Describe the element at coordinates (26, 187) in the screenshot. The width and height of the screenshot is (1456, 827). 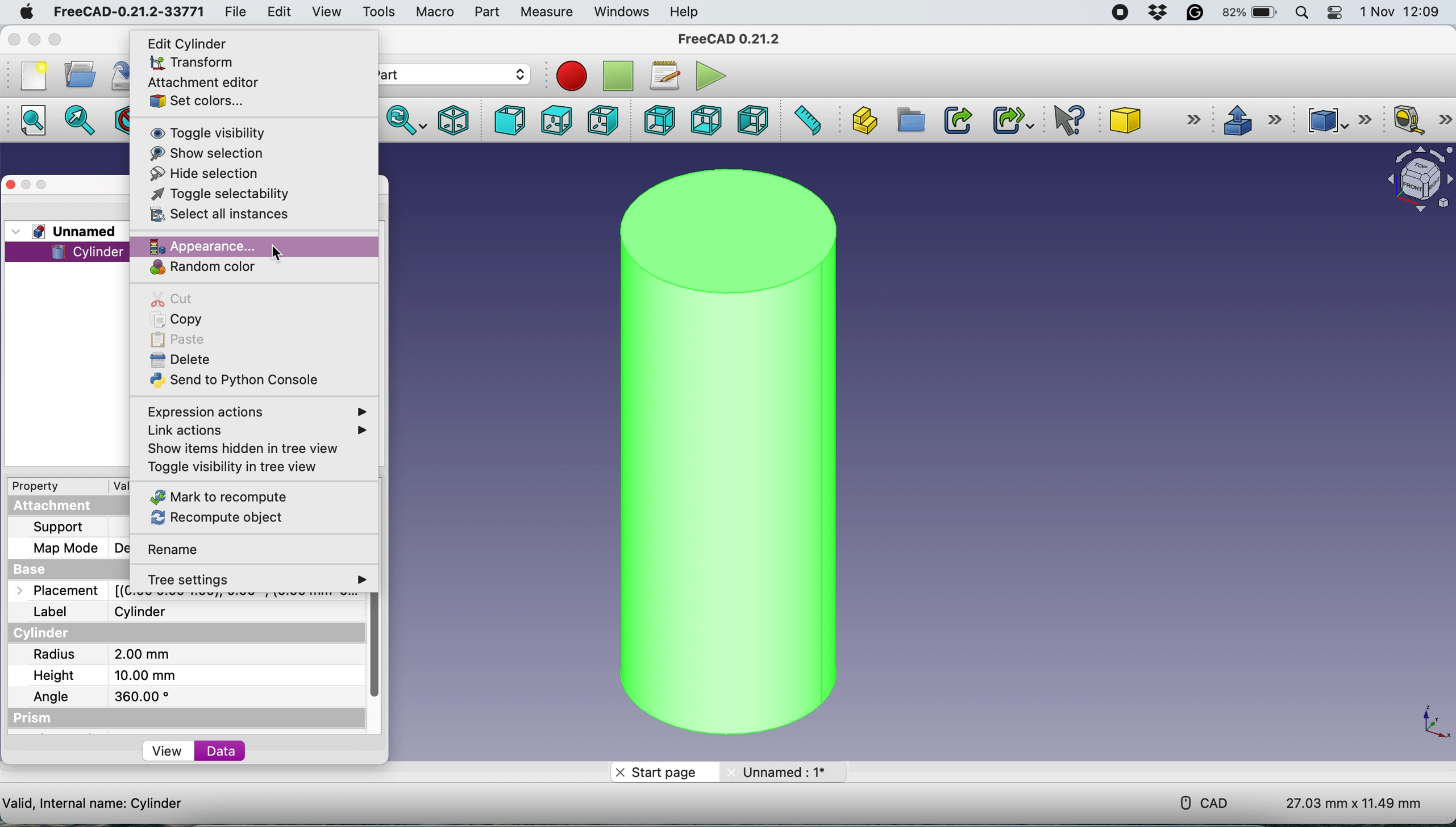
I see `minimise` at that location.